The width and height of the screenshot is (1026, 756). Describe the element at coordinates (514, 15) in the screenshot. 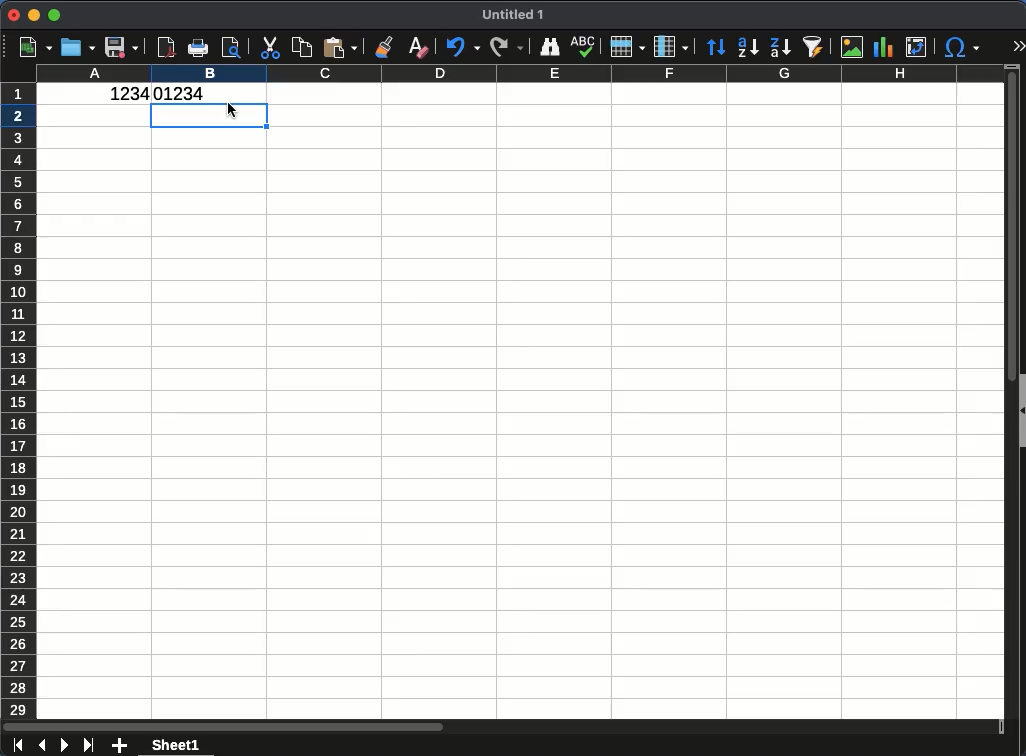

I see `Untitled 1` at that location.